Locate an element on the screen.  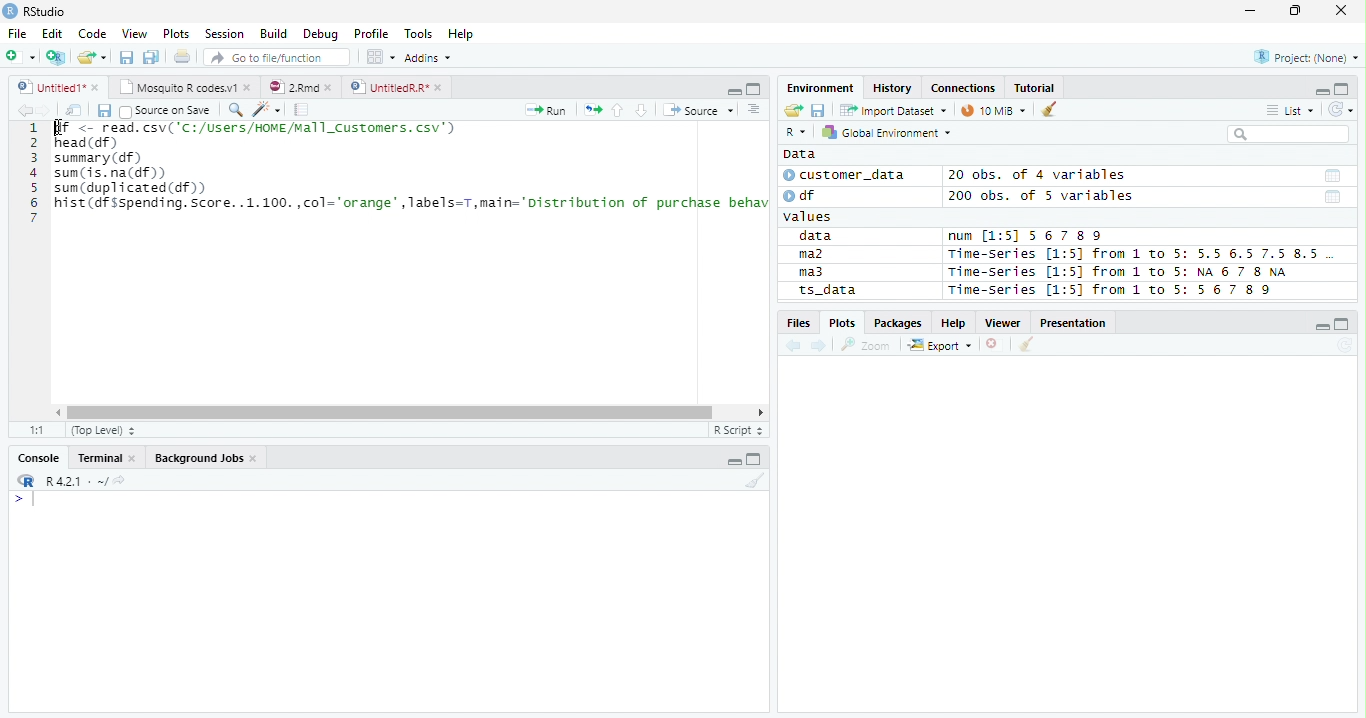
Viewer is located at coordinates (1006, 323).